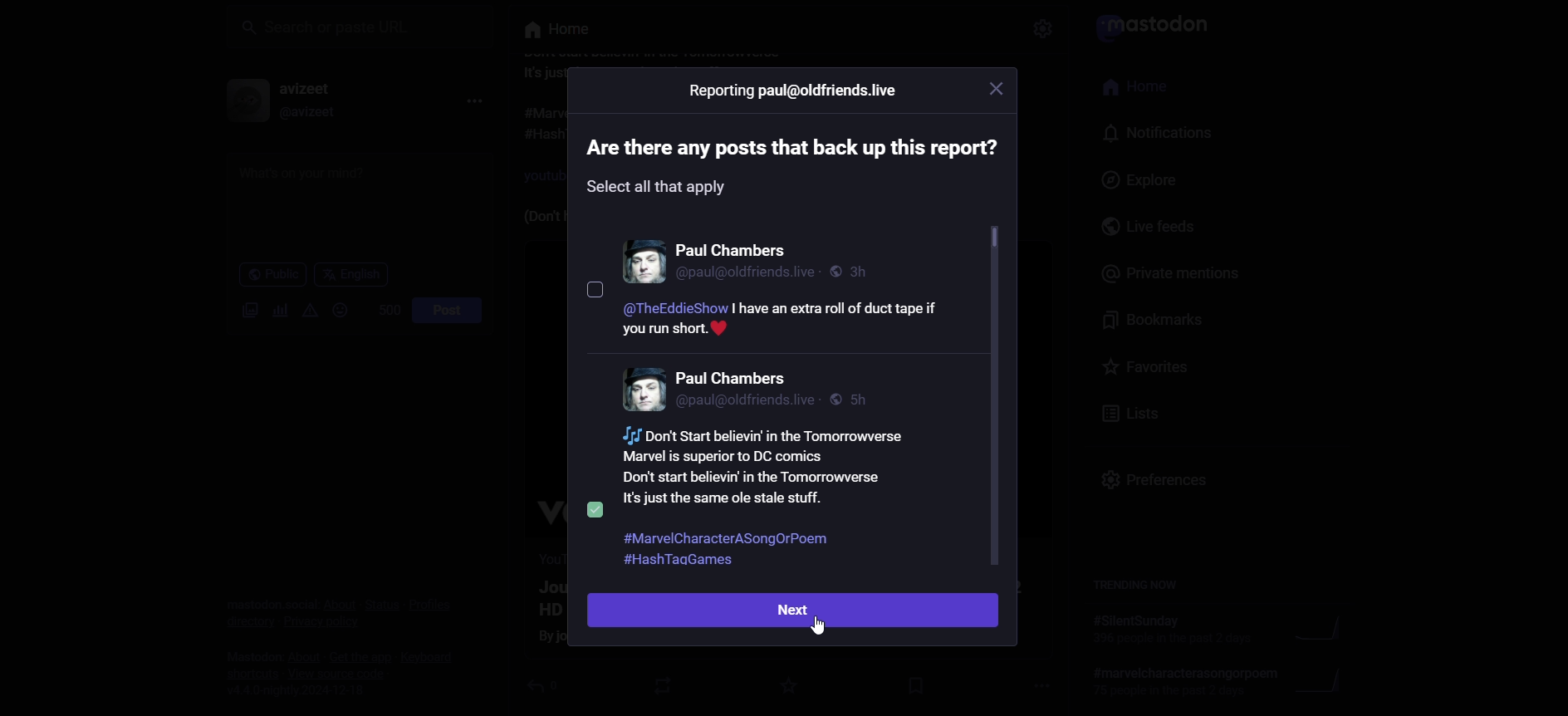 The image size is (1568, 716). What do you see at coordinates (1126, 414) in the screenshot?
I see `lists` at bounding box center [1126, 414].